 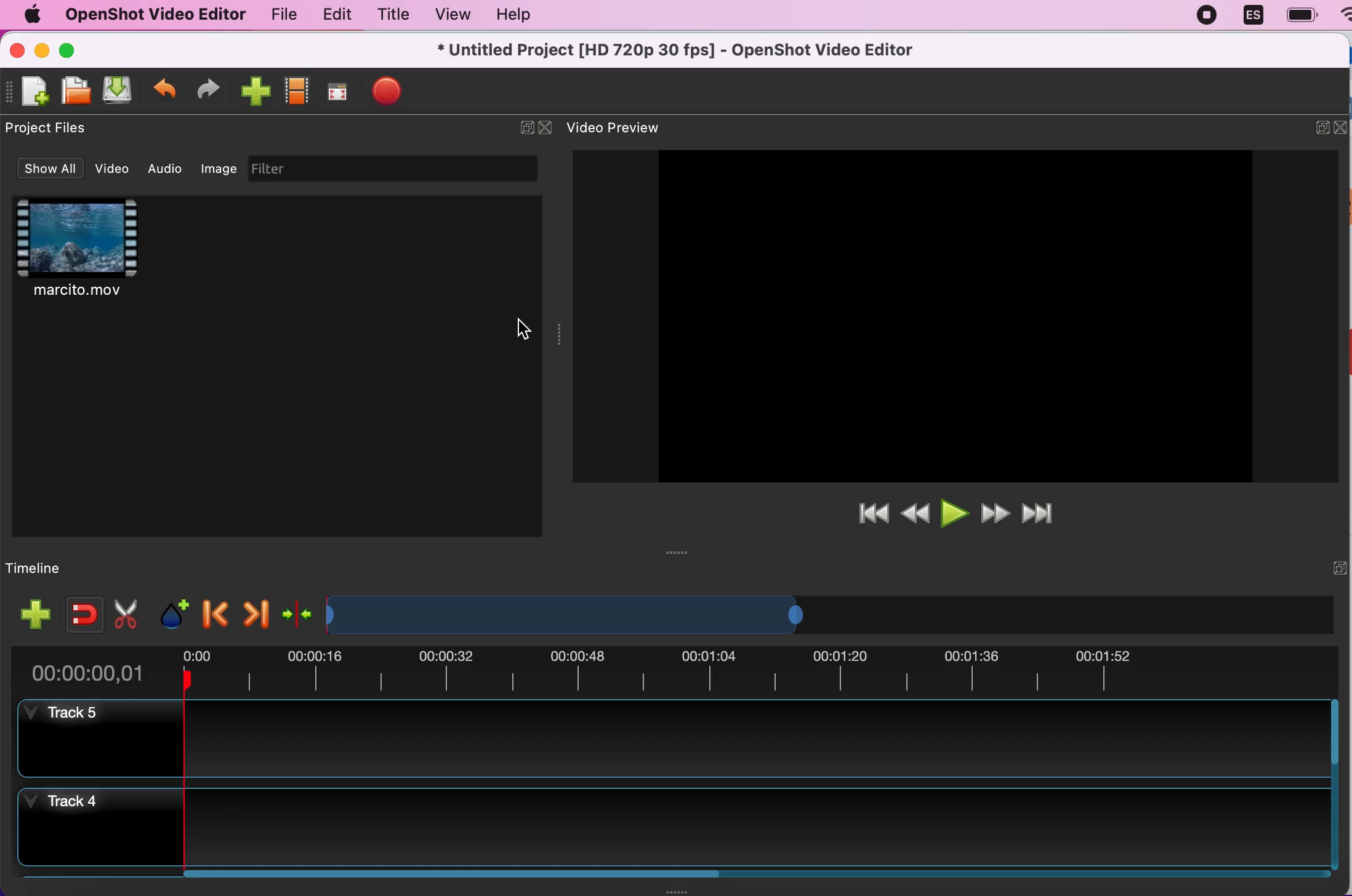 What do you see at coordinates (151, 15) in the screenshot?
I see `openshot video editor` at bounding box center [151, 15].